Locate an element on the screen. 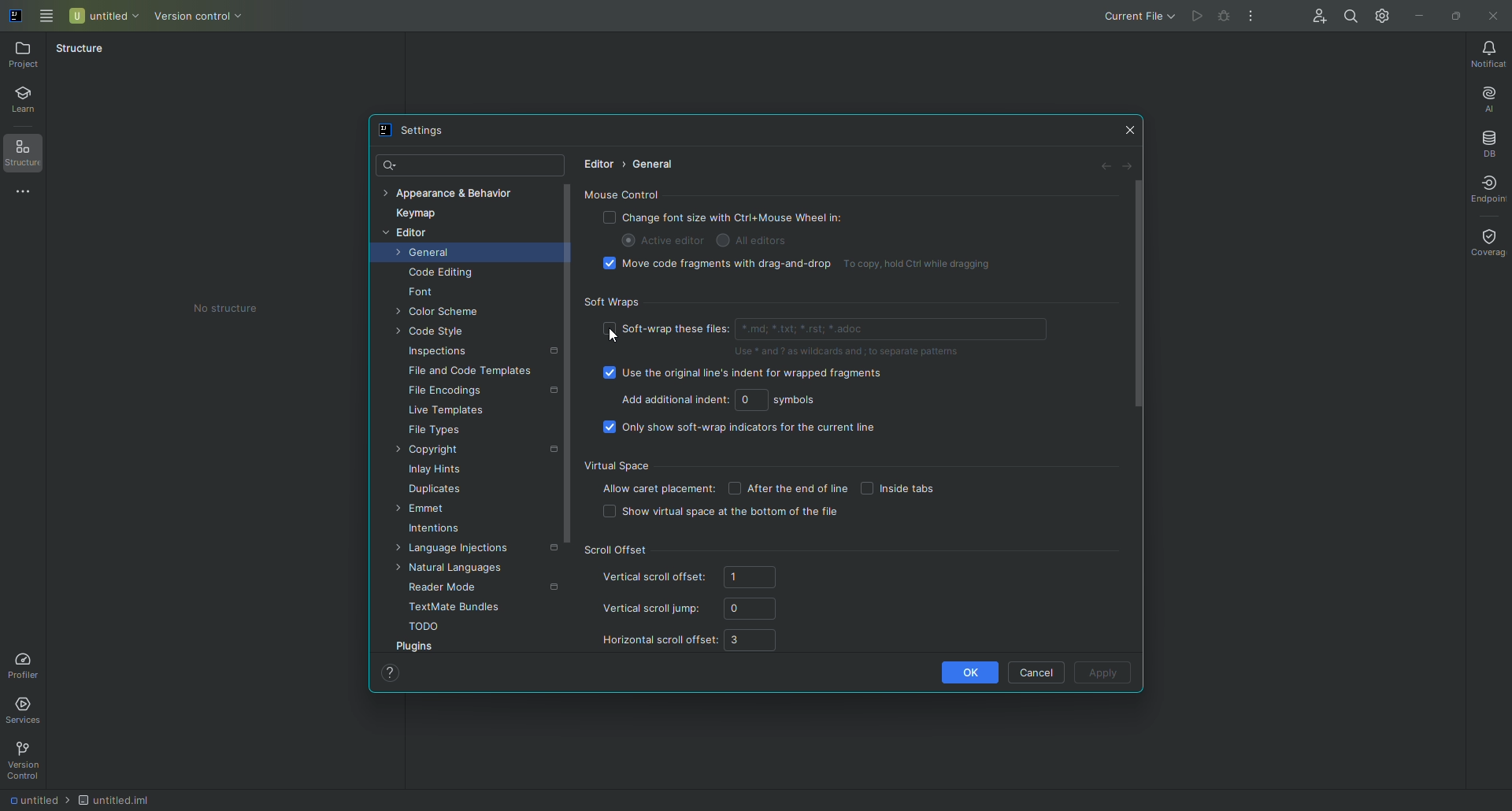  Plugins is located at coordinates (415, 645).